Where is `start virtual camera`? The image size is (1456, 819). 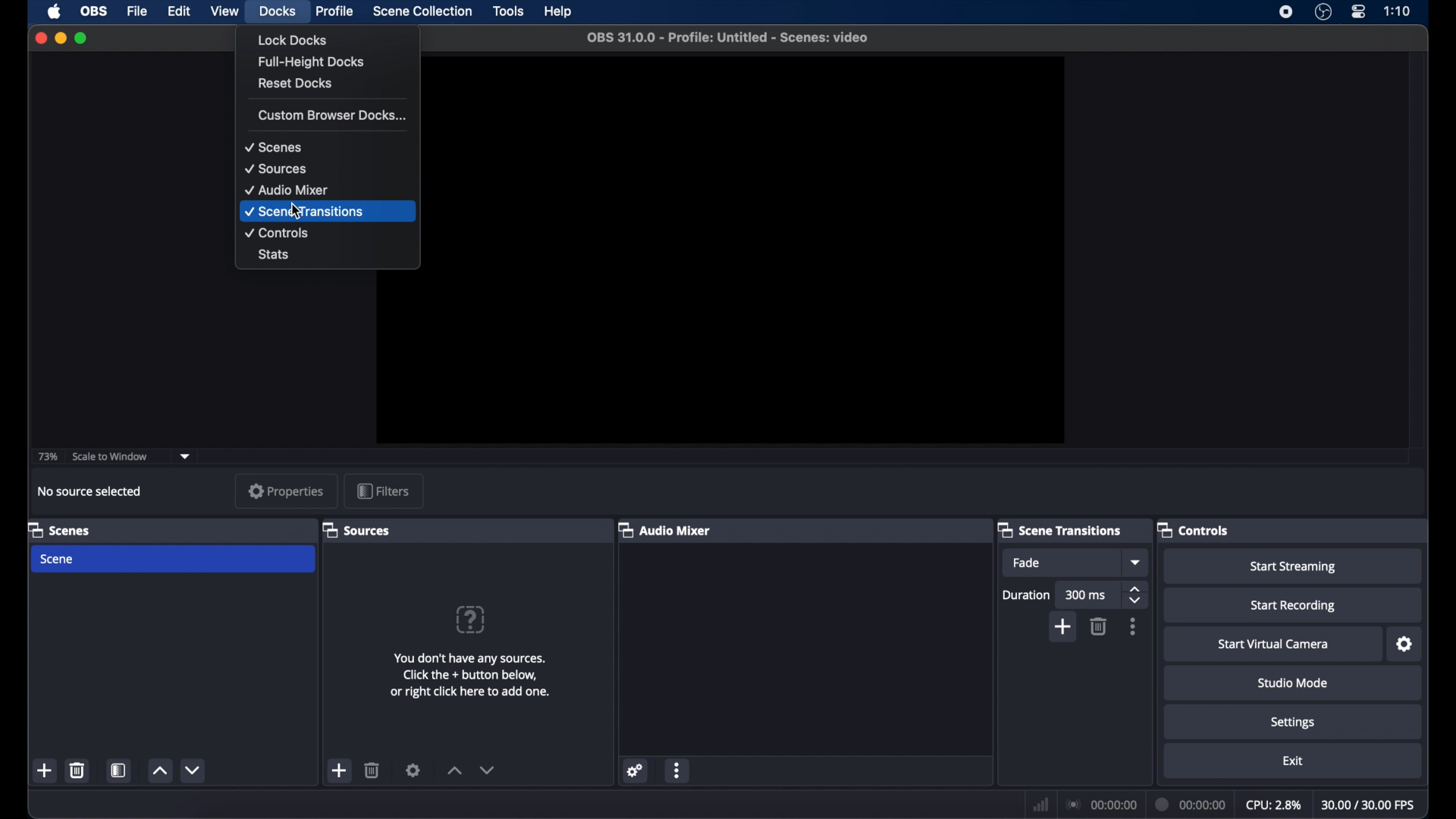 start virtual camera is located at coordinates (1273, 645).